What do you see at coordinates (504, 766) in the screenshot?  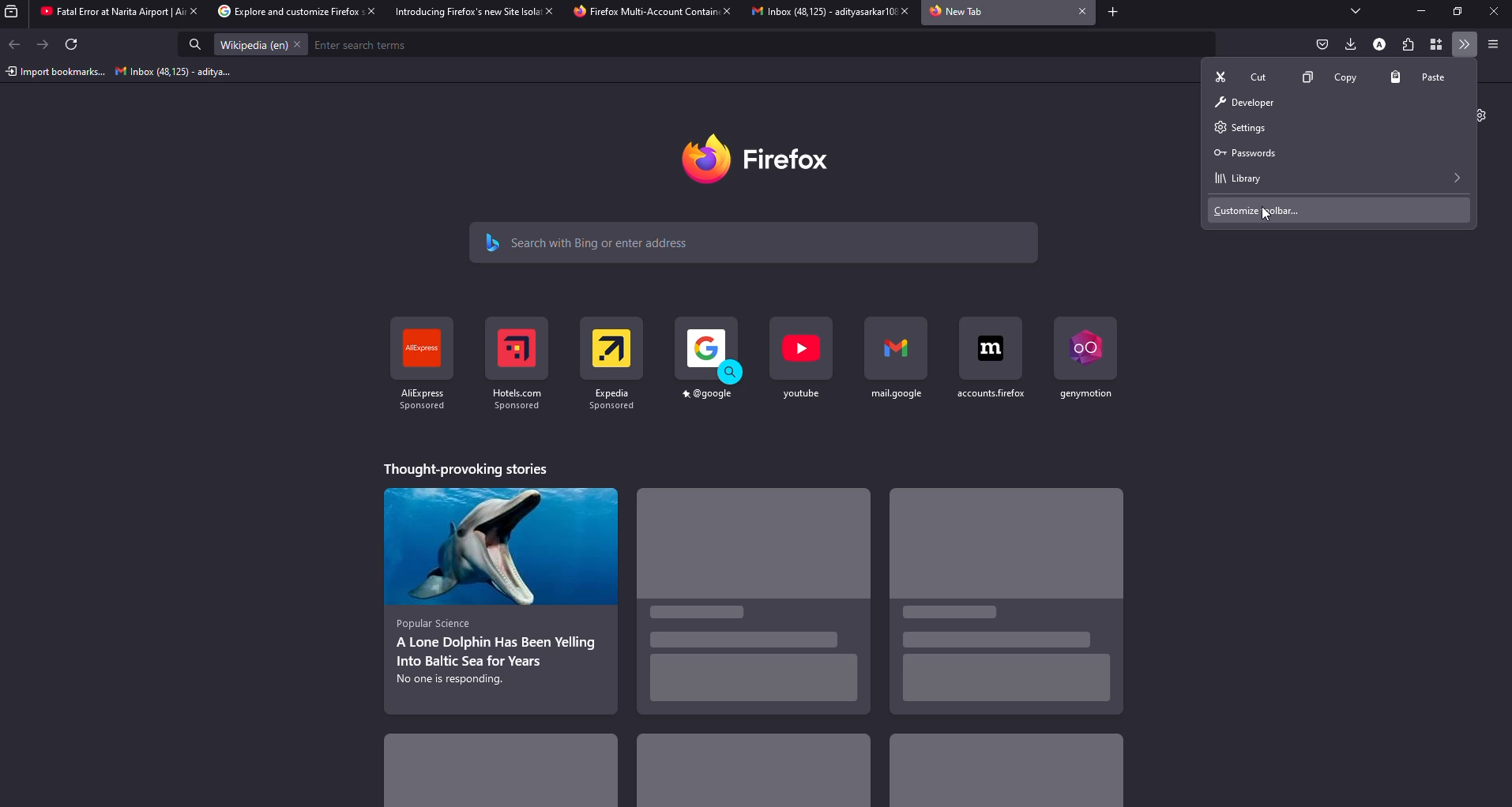 I see `stories` at bounding box center [504, 766].